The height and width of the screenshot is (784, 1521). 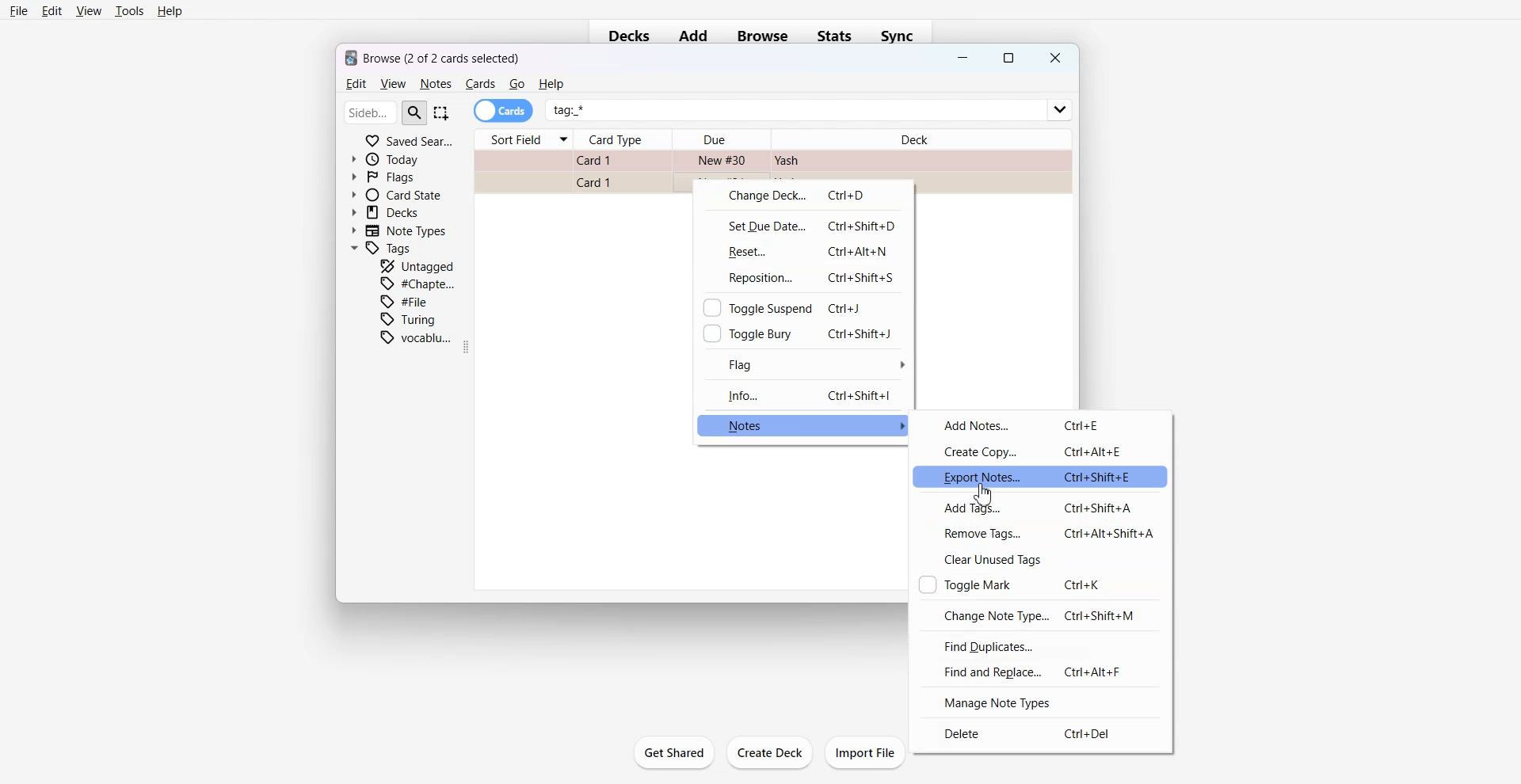 What do you see at coordinates (837, 36) in the screenshot?
I see `Stats` at bounding box center [837, 36].